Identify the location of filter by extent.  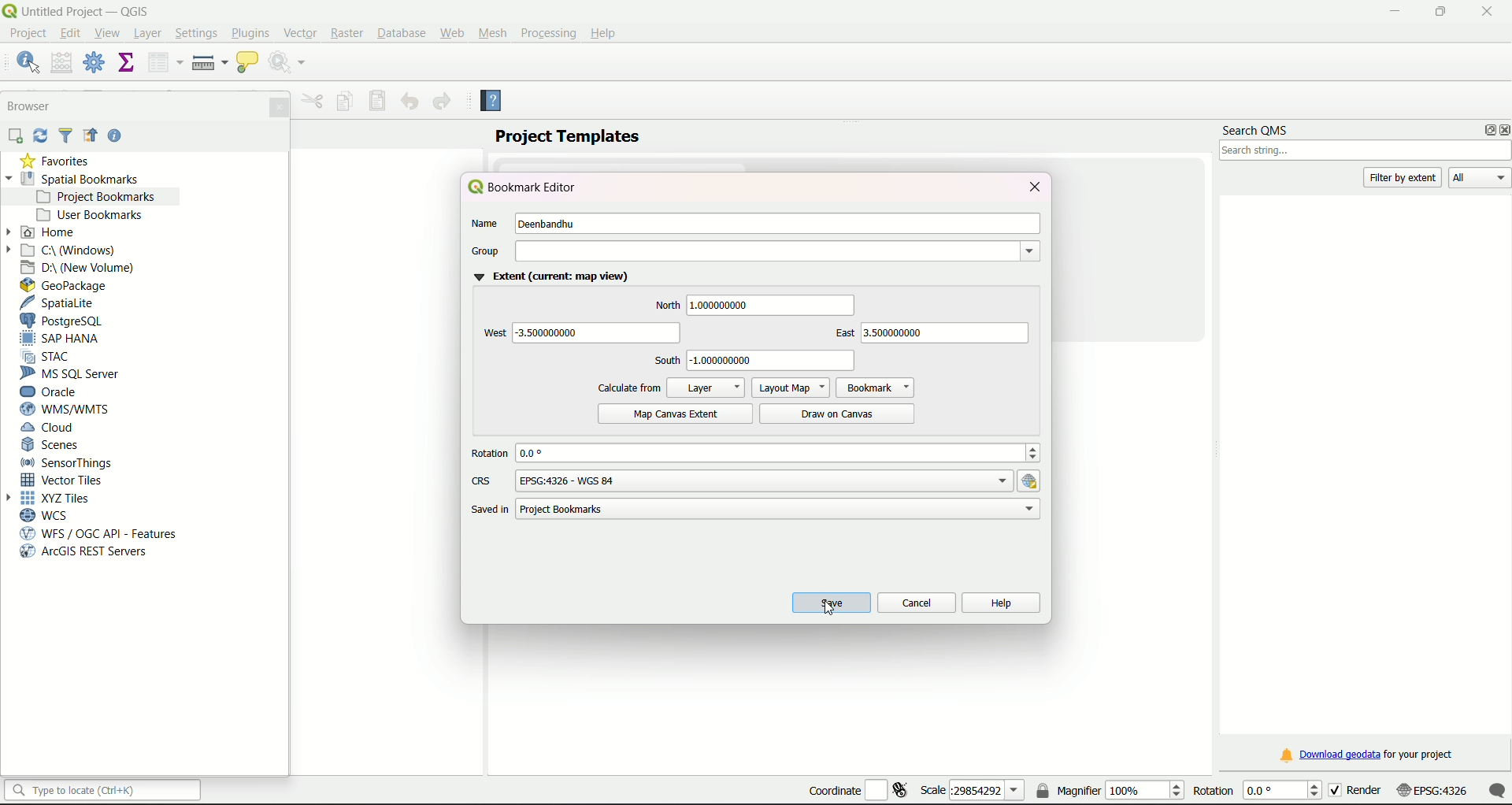
(1404, 176).